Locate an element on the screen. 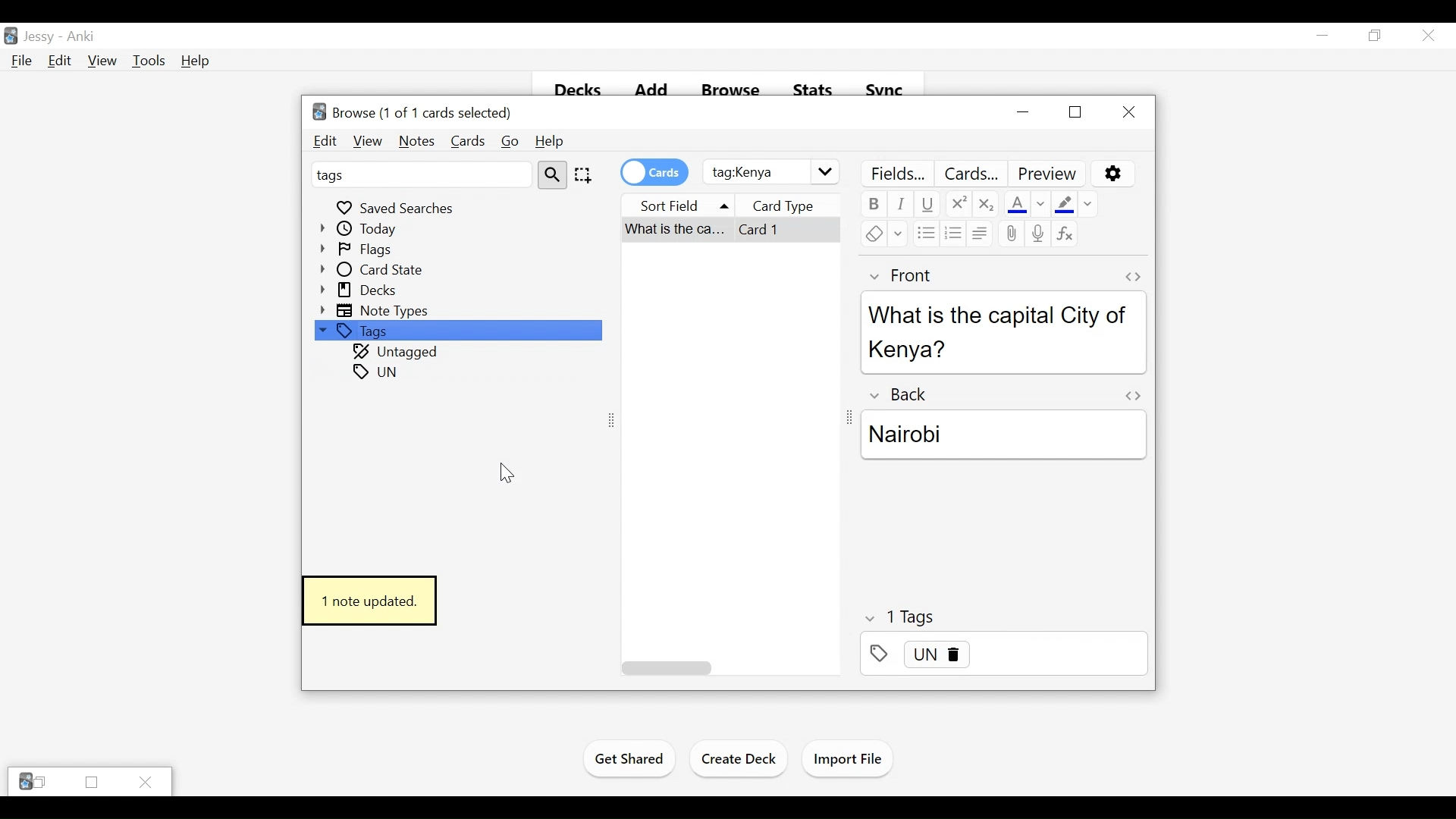 Image resolution: width=1456 pixels, height=819 pixels. Search Tool is located at coordinates (553, 174).